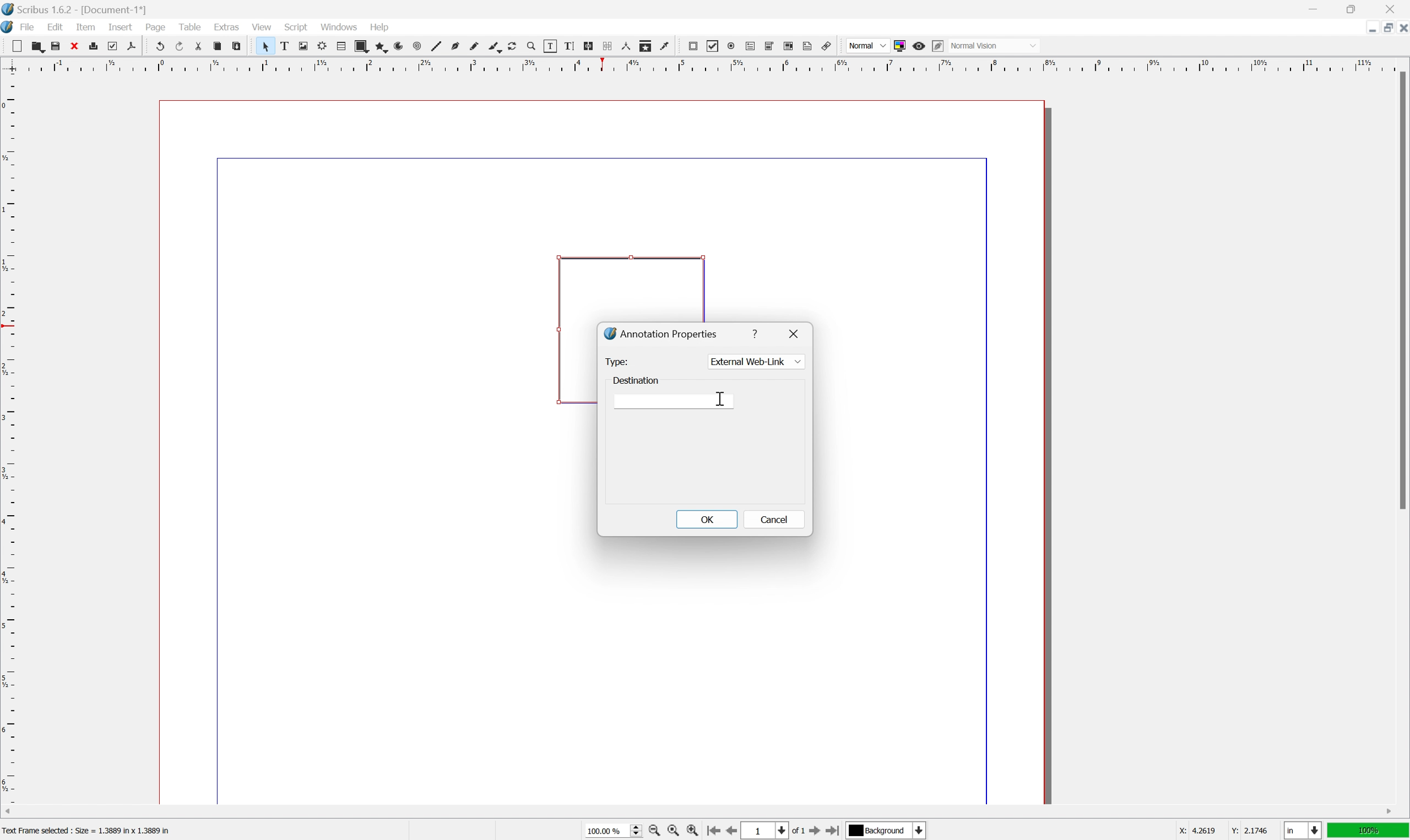  What do you see at coordinates (888, 831) in the screenshot?
I see `select current layer` at bounding box center [888, 831].